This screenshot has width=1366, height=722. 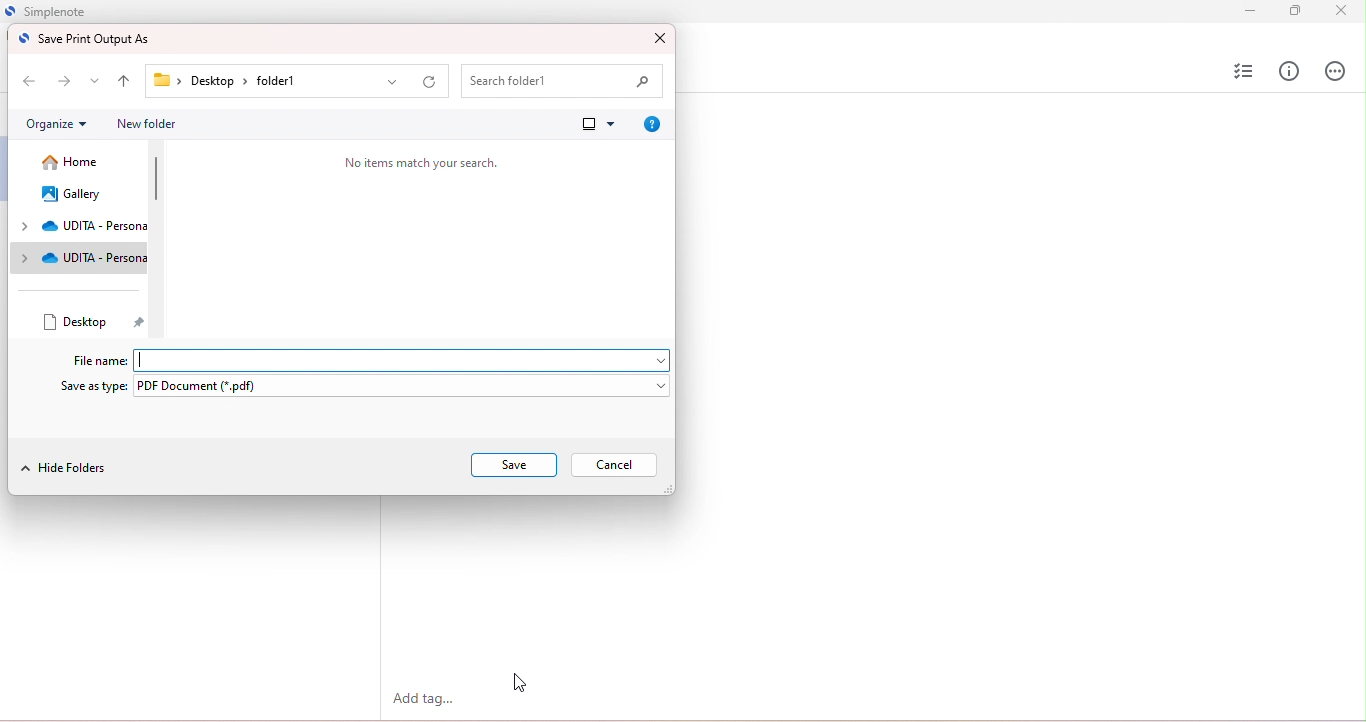 I want to click on minimize, so click(x=1244, y=10).